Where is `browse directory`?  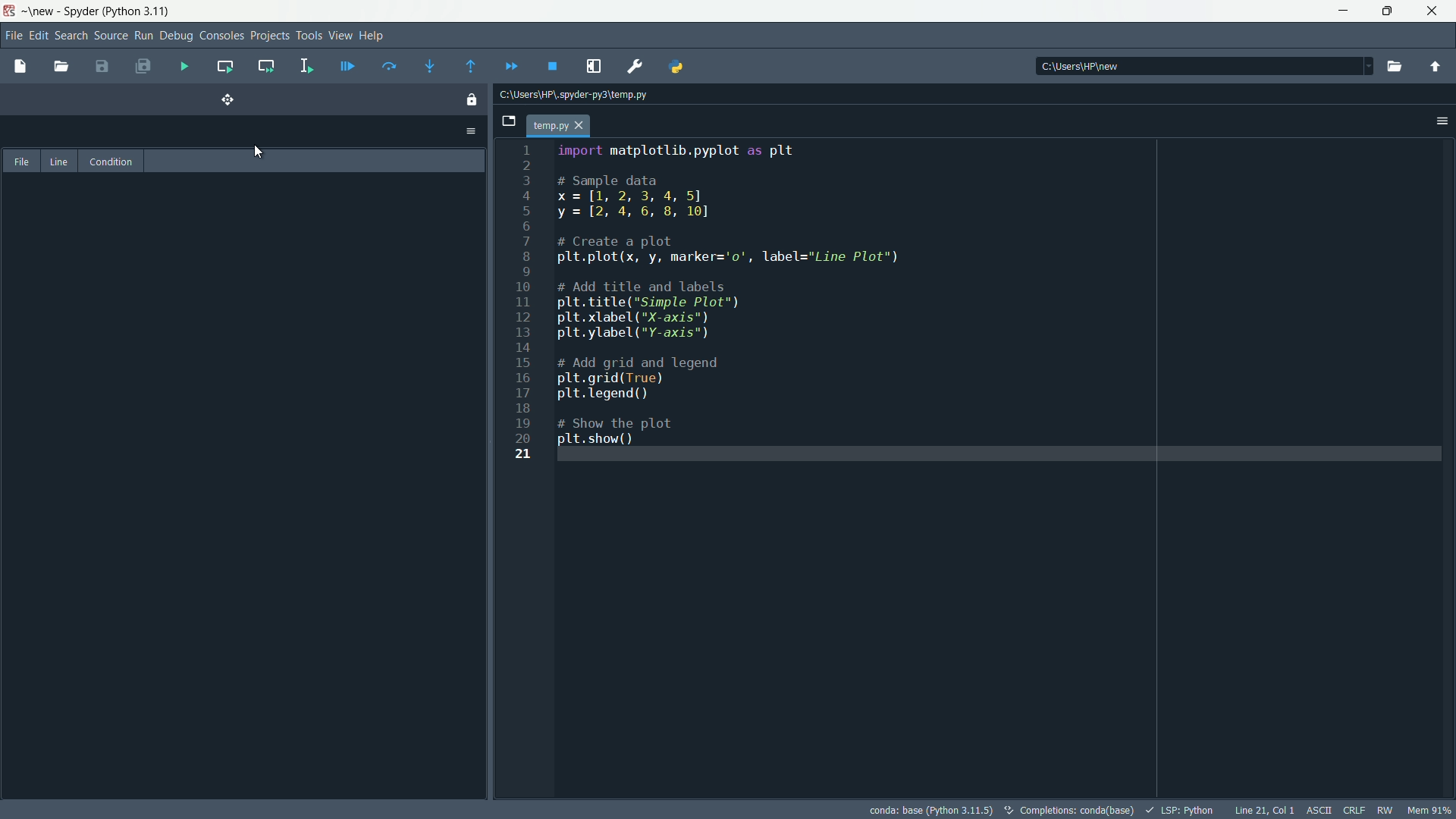
browse directory is located at coordinates (1394, 66).